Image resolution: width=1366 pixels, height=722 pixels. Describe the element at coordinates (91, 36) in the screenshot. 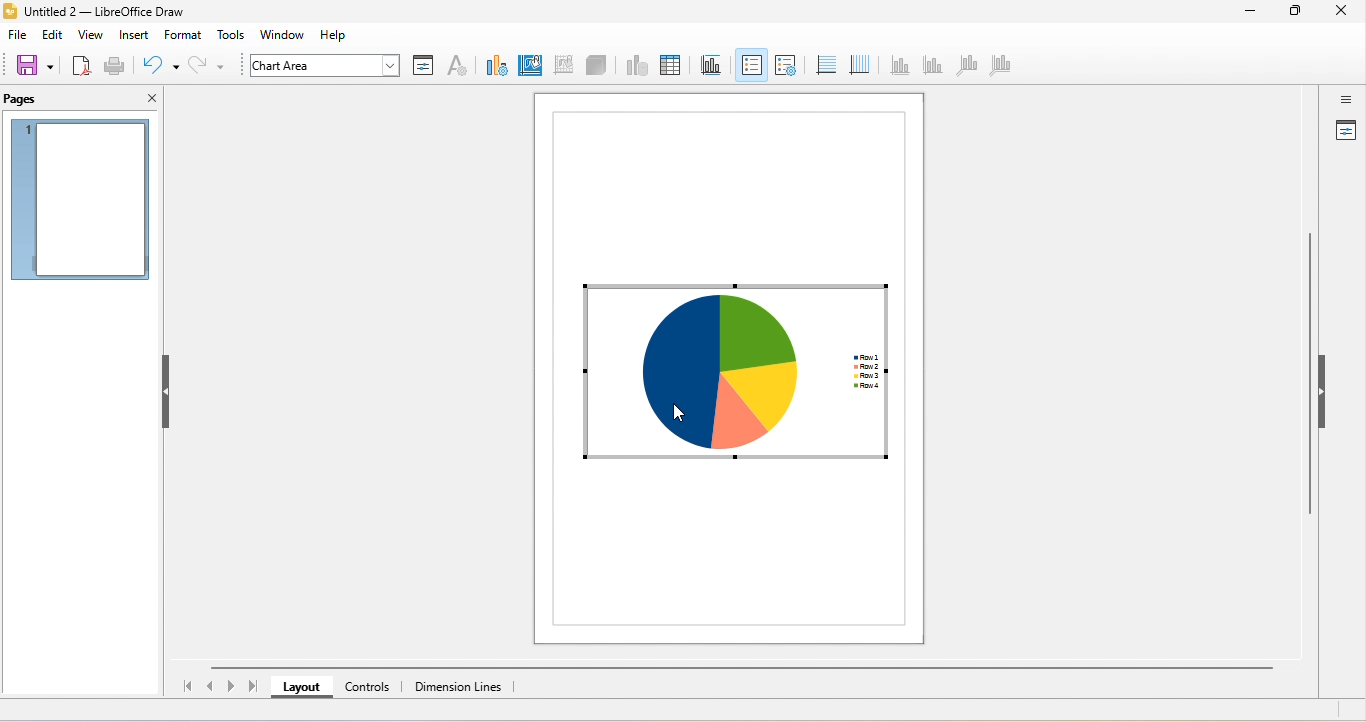

I see `view` at that location.